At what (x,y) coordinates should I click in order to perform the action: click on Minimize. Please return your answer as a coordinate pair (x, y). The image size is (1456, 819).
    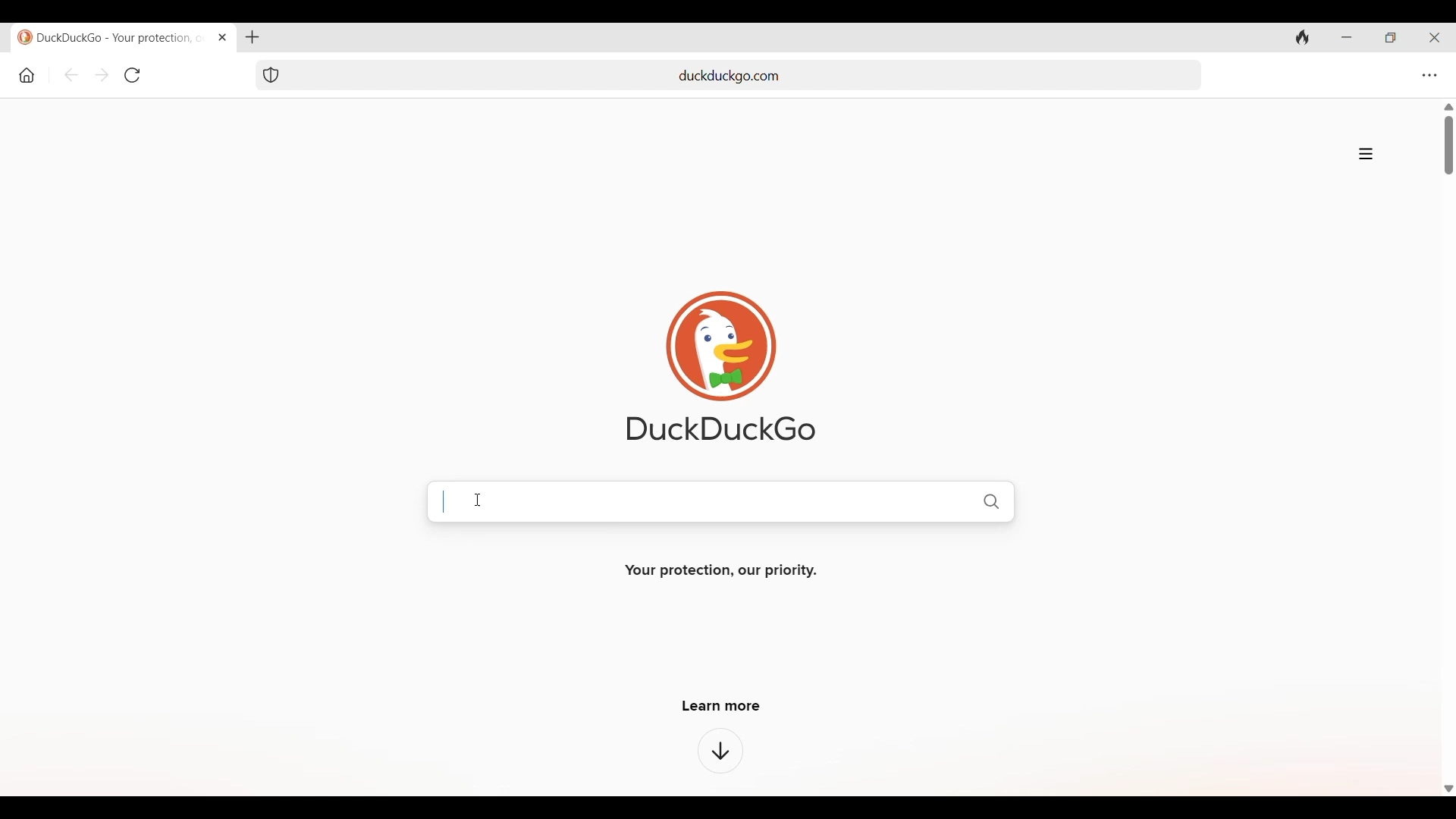
    Looking at the image, I should click on (1347, 37).